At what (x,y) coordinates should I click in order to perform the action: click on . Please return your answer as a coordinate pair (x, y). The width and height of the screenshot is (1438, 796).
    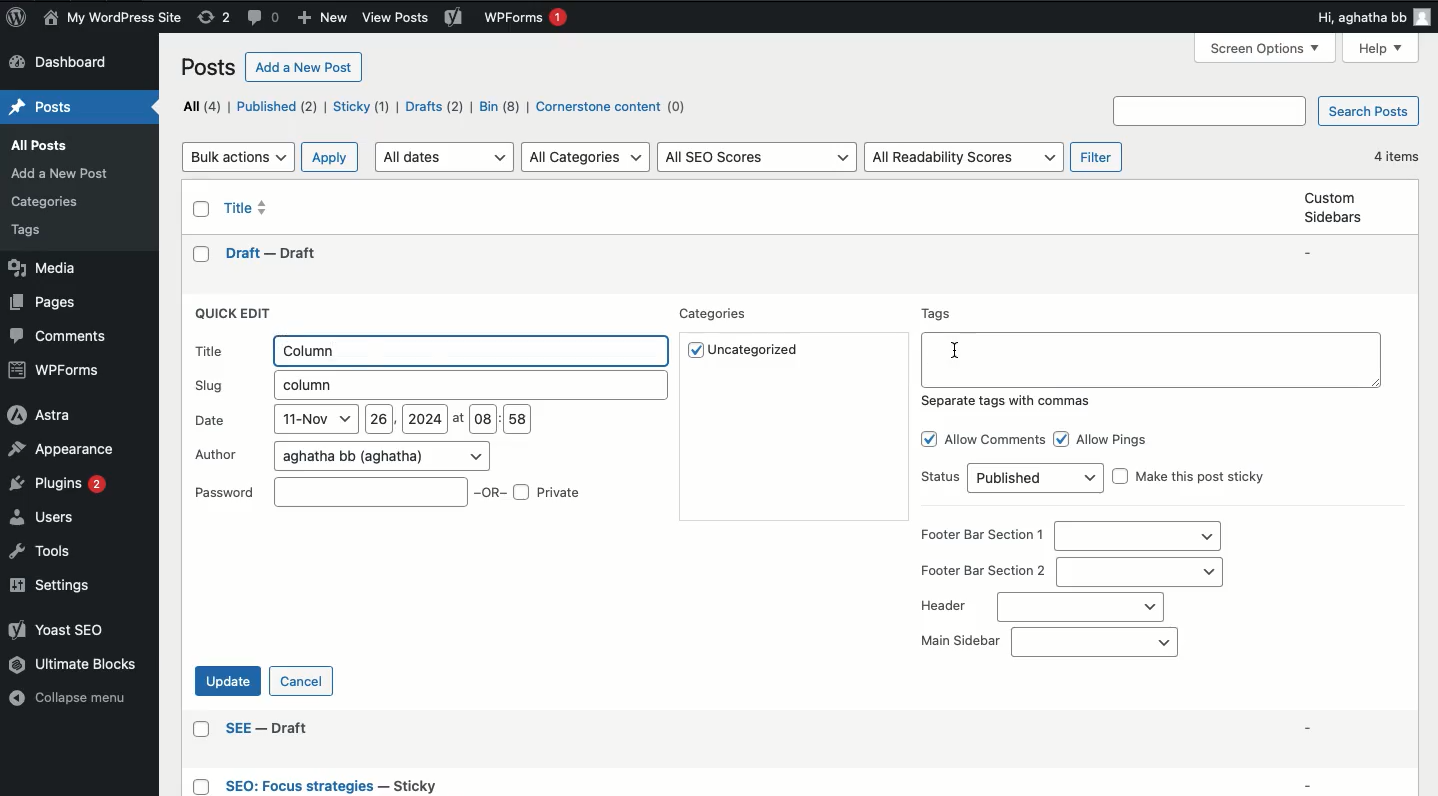
    Looking at the image, I should click on (262, 785).